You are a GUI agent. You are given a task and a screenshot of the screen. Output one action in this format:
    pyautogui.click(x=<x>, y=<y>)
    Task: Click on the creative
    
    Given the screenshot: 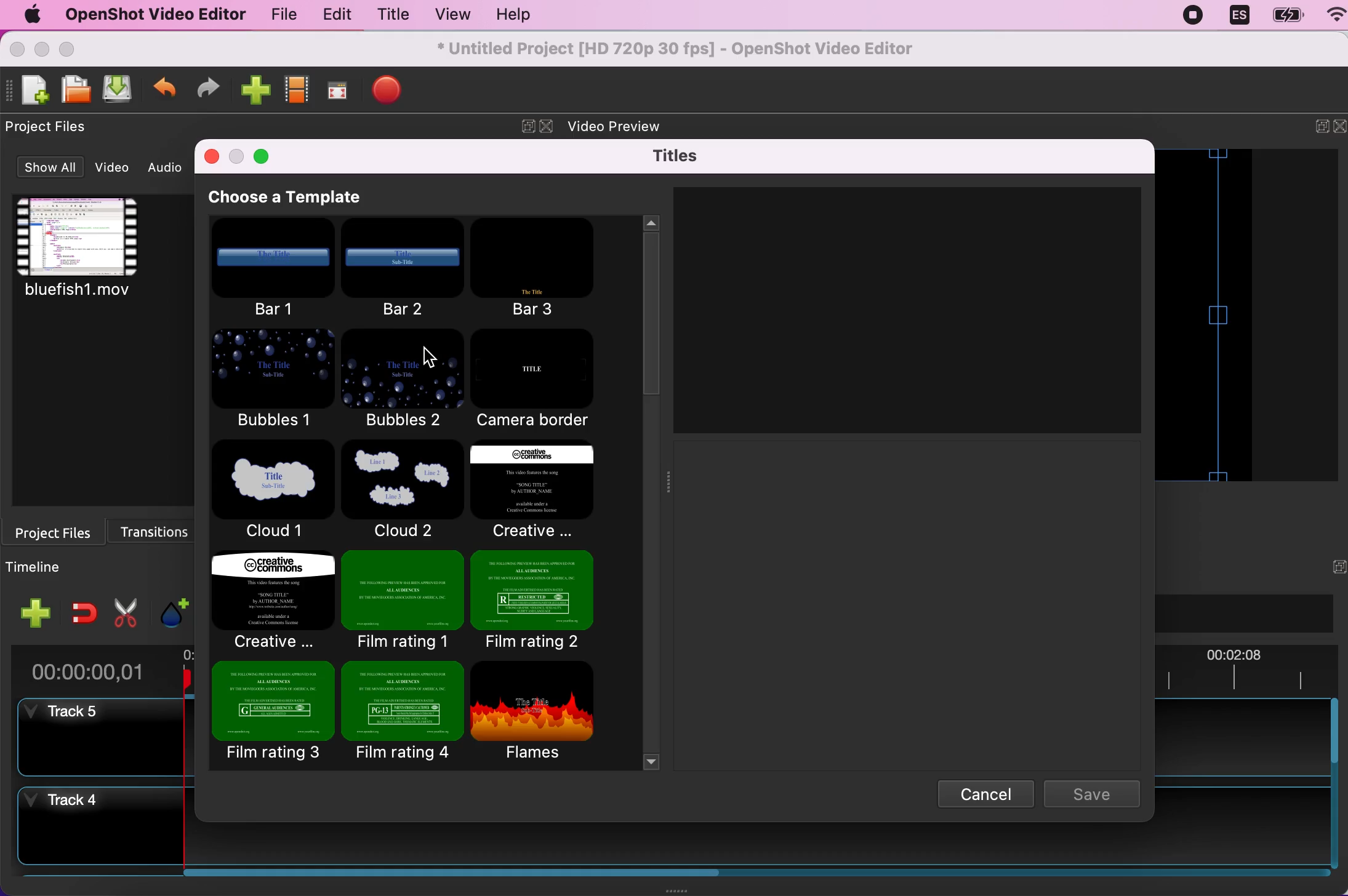 What is the action you would take?
    pyautogui.click(x=531, y=491)
    